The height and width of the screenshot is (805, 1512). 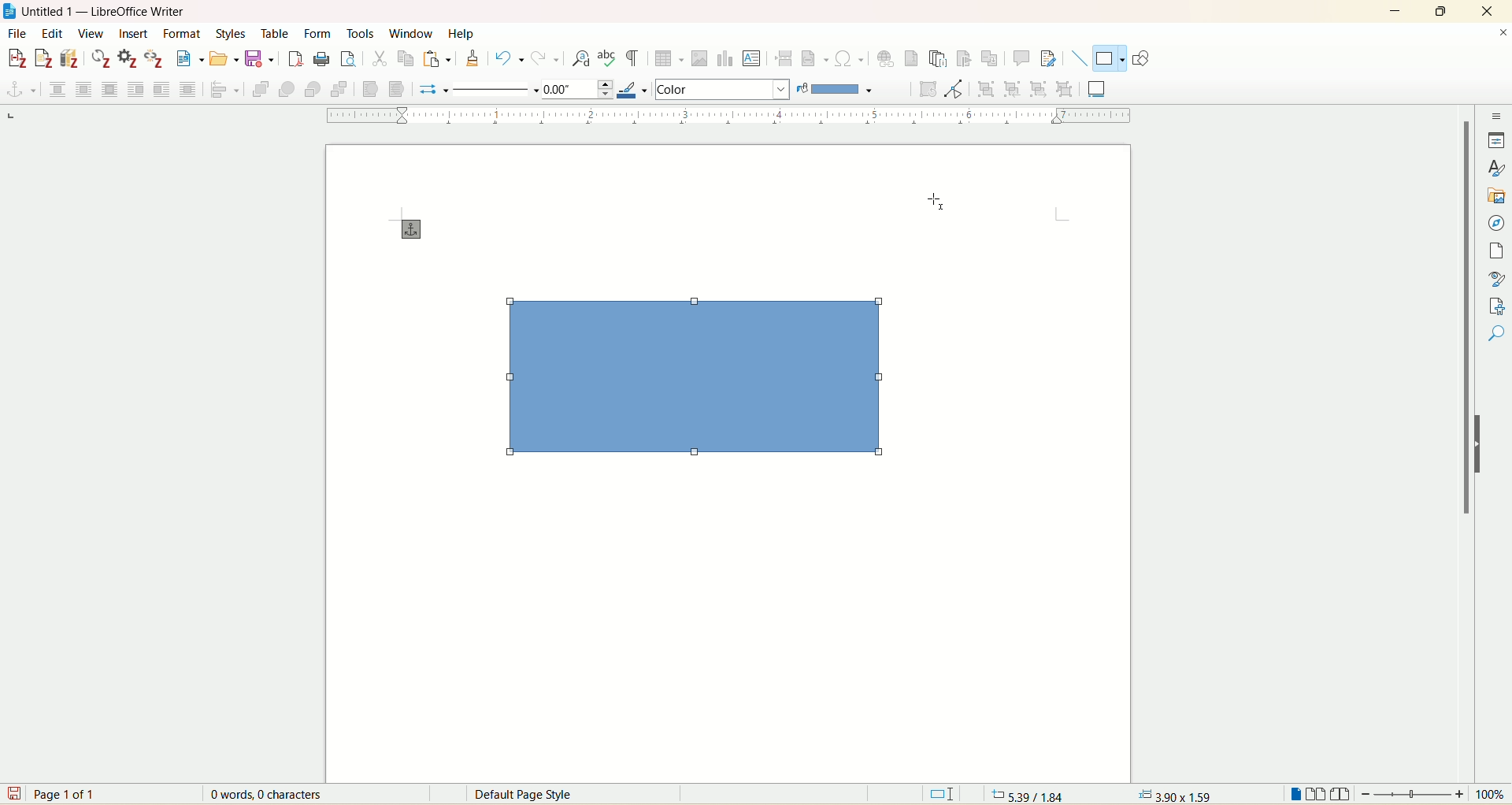 I want to click on hide, so click(x=1484, y=443).